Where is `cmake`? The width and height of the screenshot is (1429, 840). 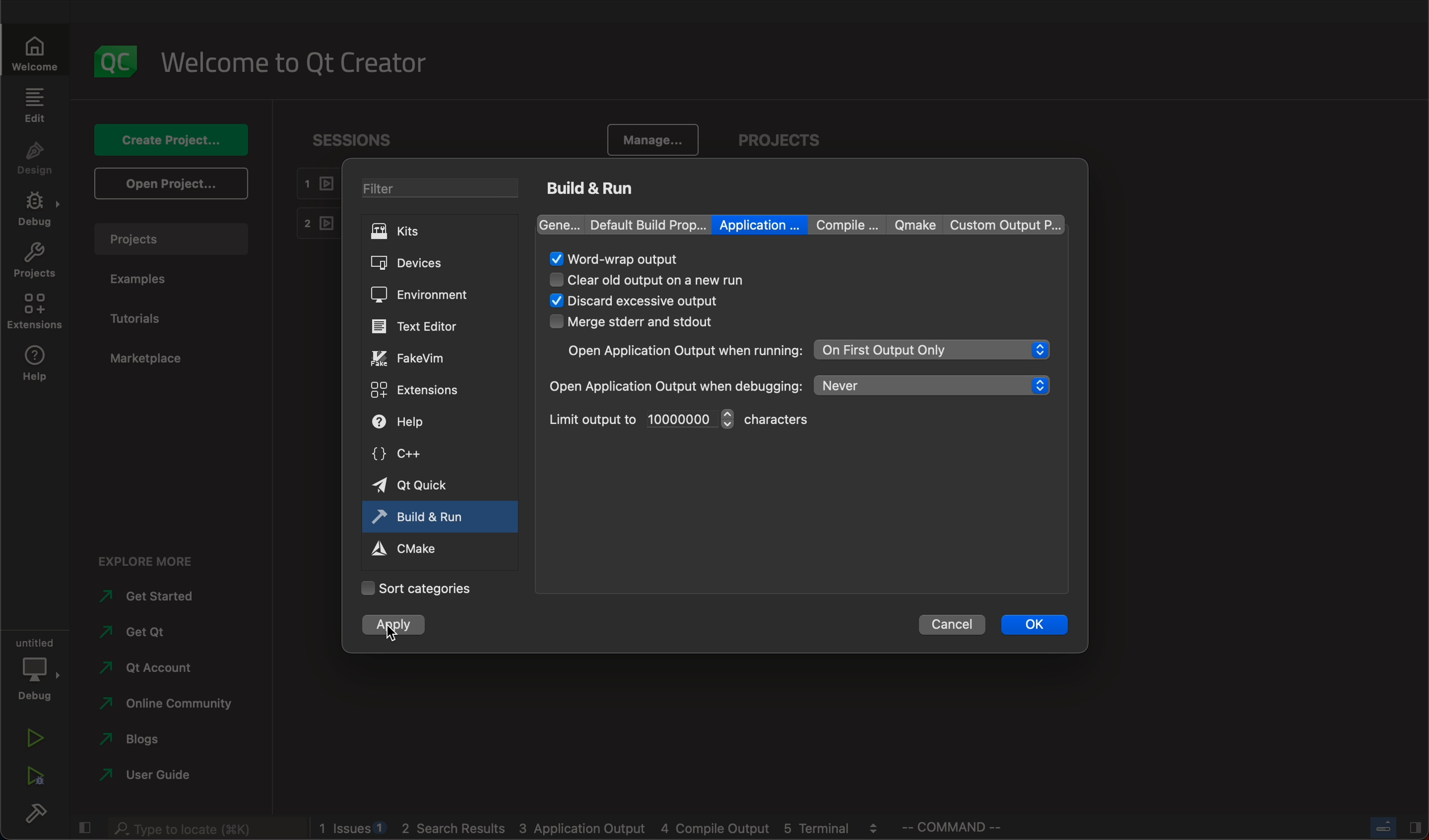
cmake is located at coordinates (415, 548).